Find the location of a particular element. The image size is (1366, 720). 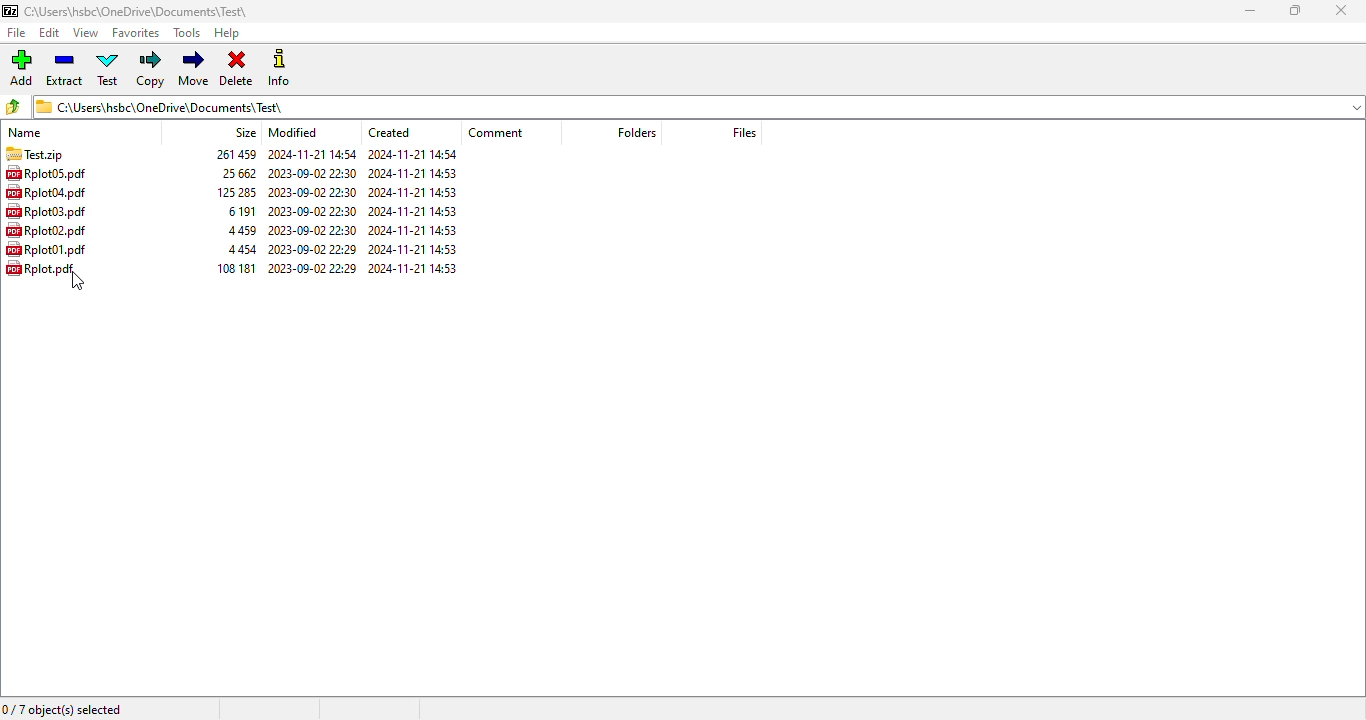

 2023-09-02 22:30 is located at coordinates (310, 173).